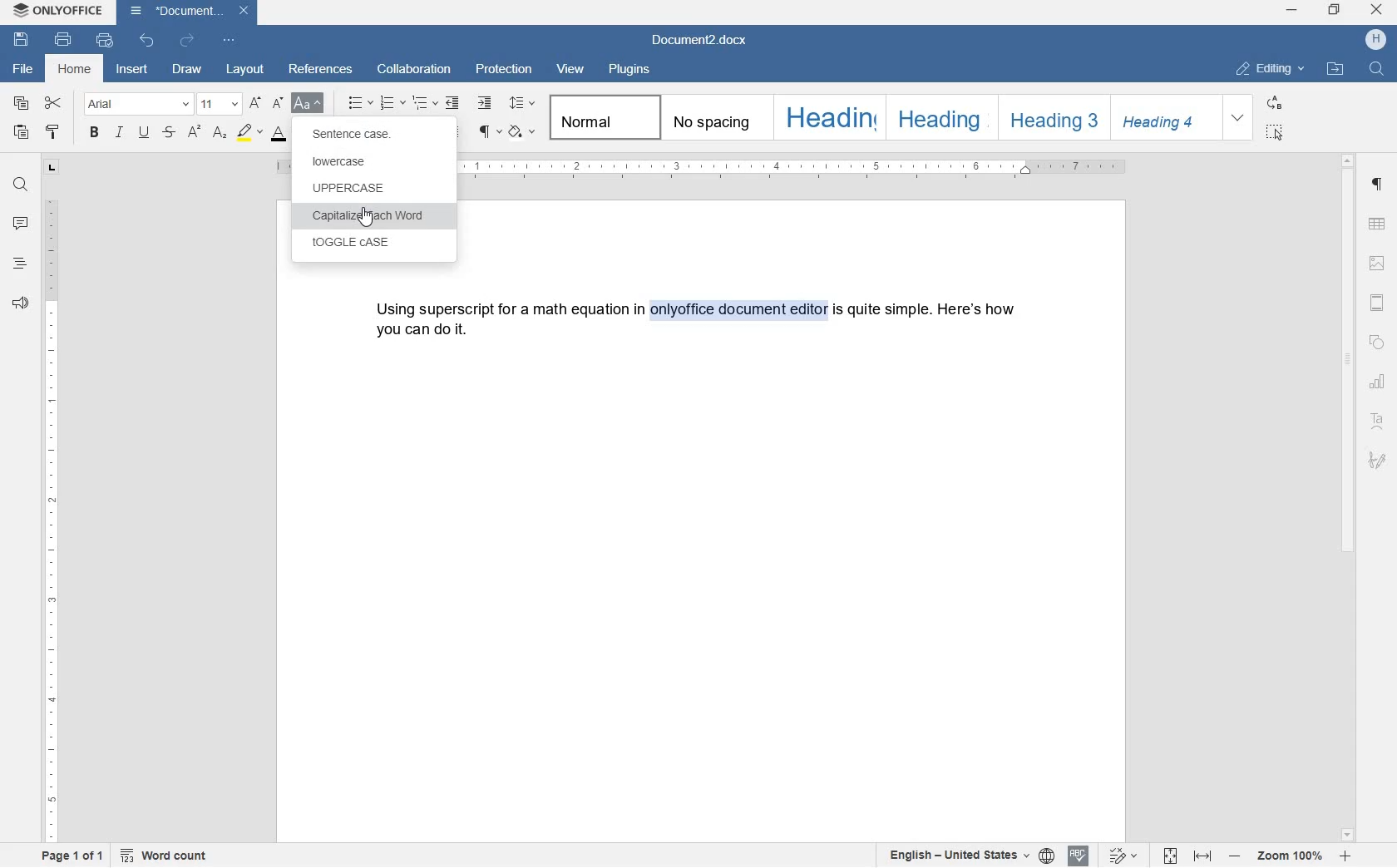 This screenshot has width=1397, height=868. Describe the element at coordinates (351, 136) in the screenshot. I see `sentence case` at that location.